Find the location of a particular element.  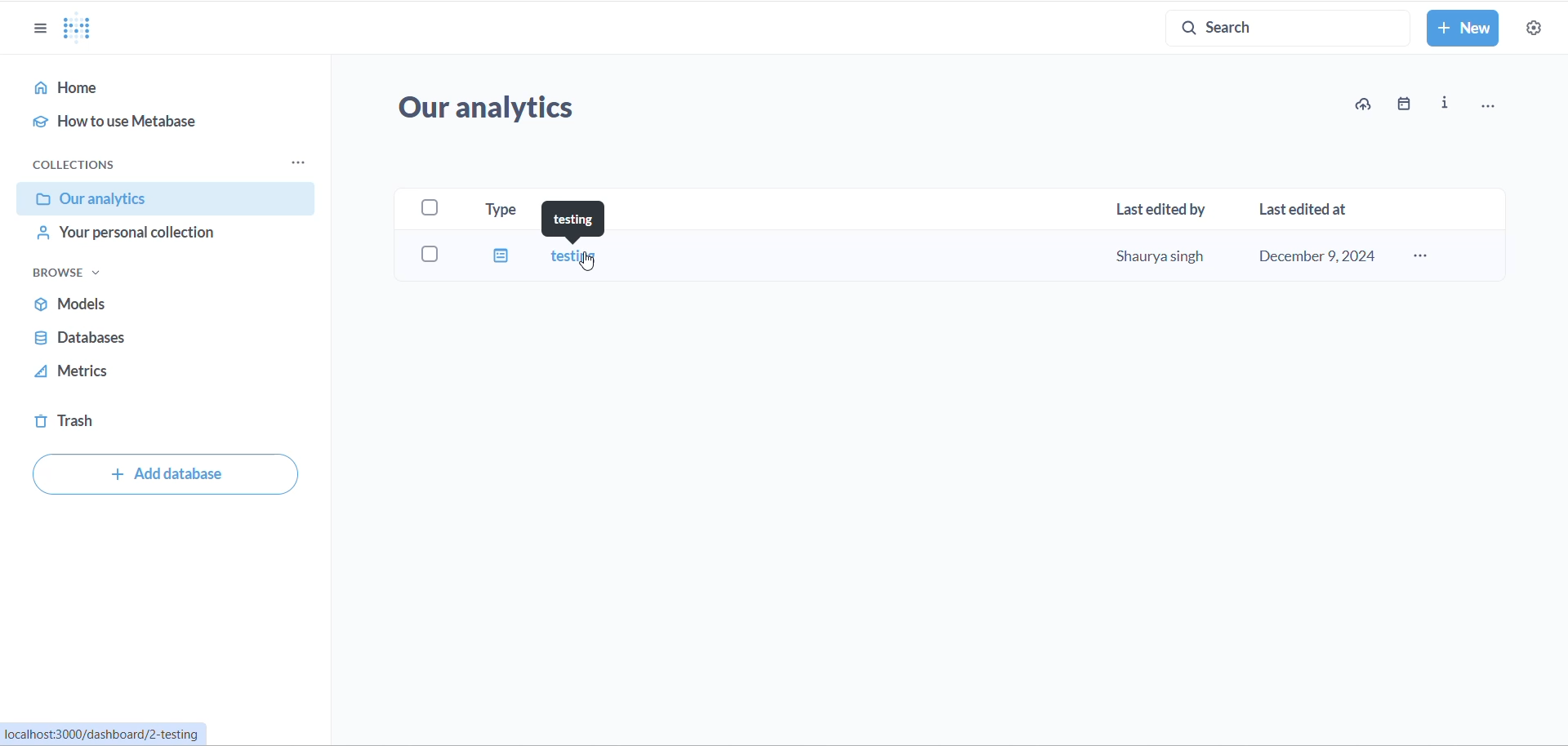

new is located at coordinates (1463, 29).